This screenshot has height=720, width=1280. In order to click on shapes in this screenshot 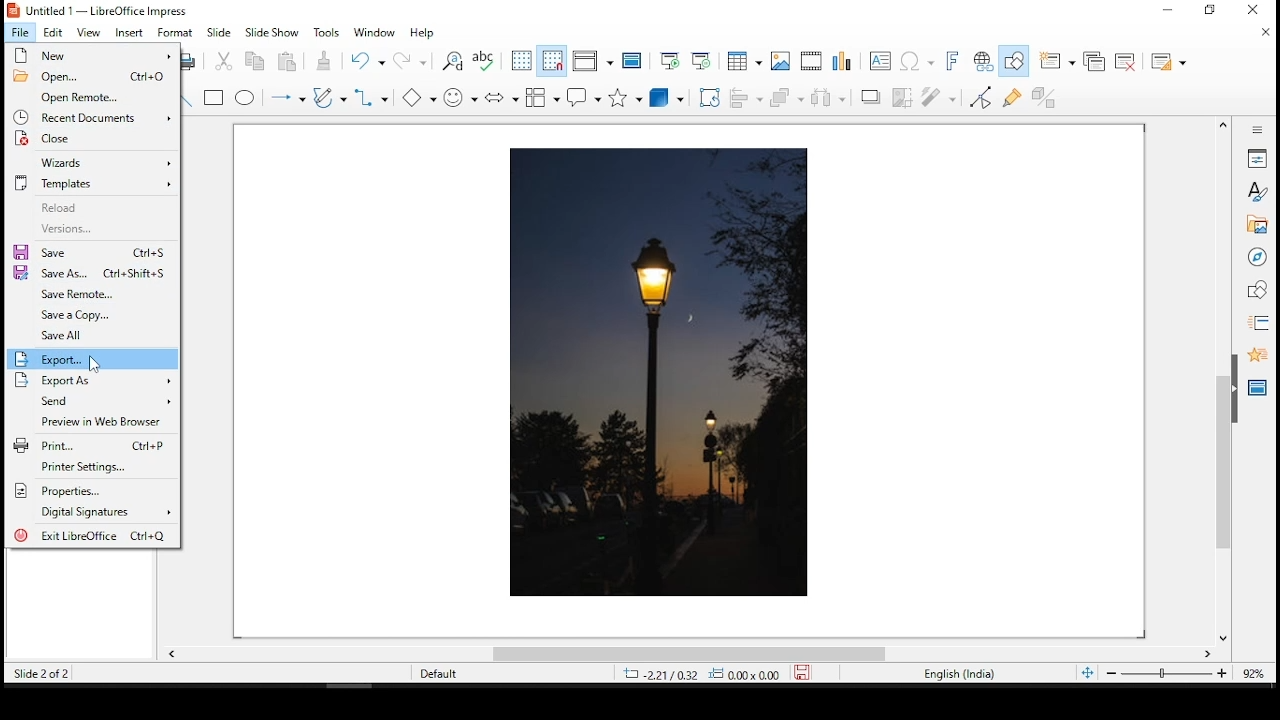, I will do `click(1259, 293)`.